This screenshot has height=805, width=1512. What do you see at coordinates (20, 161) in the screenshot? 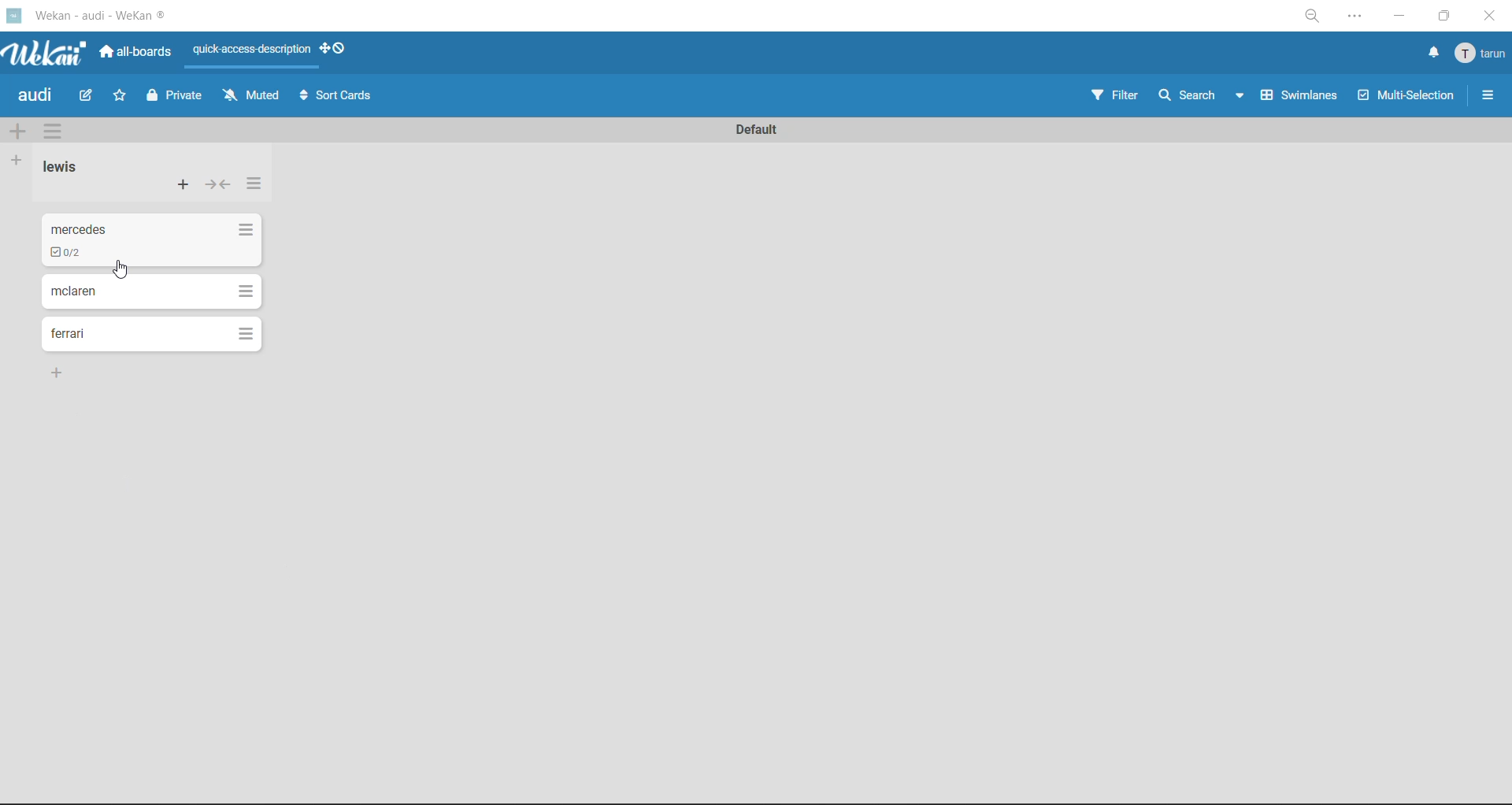
I see `add list` at bounding box center [20, 161].